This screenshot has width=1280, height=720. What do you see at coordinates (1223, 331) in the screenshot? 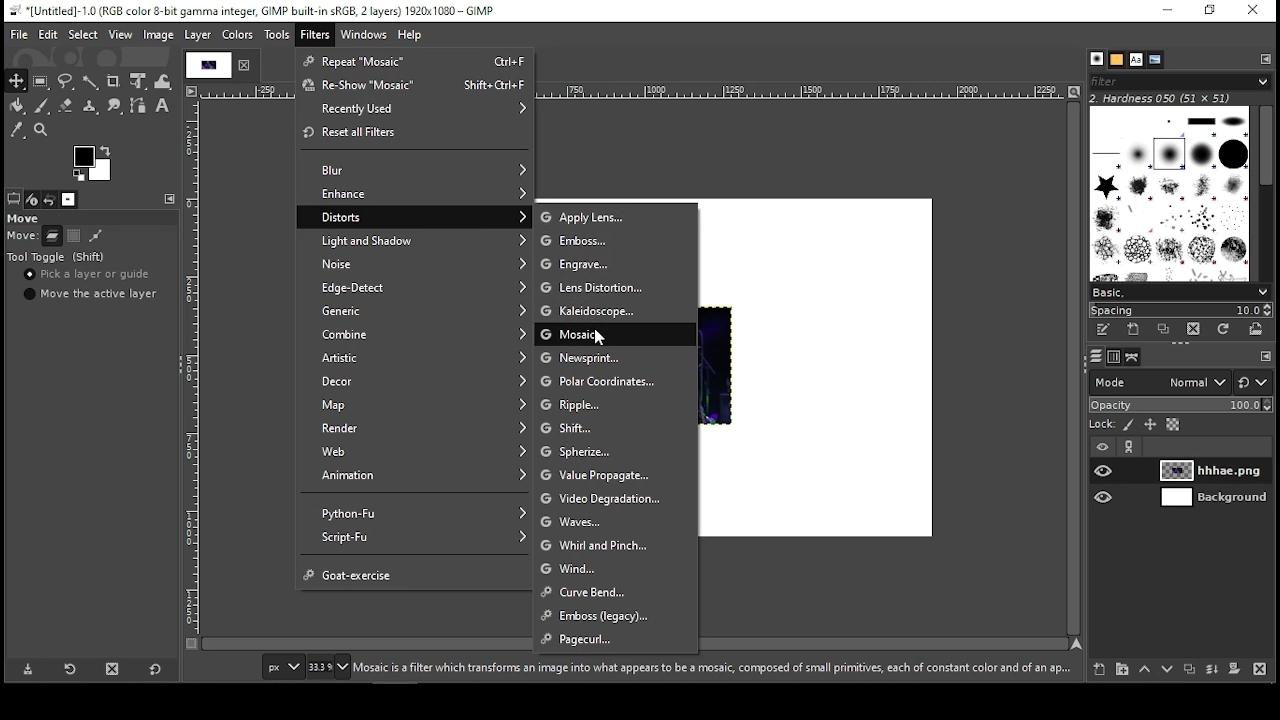
I see `refresh brushes` at bounding box center [1223, 331].